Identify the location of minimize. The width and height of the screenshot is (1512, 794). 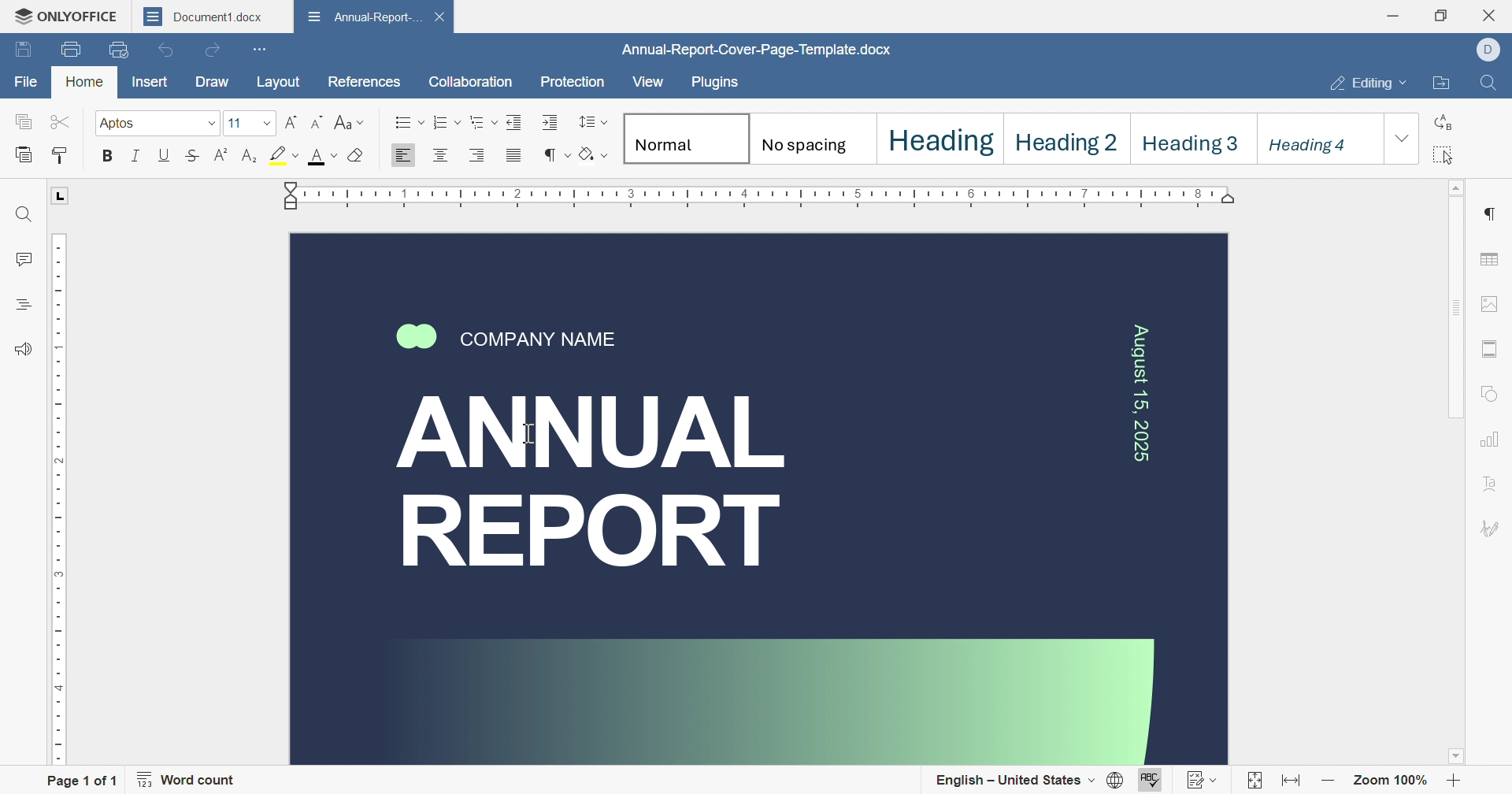
(1398, 13).